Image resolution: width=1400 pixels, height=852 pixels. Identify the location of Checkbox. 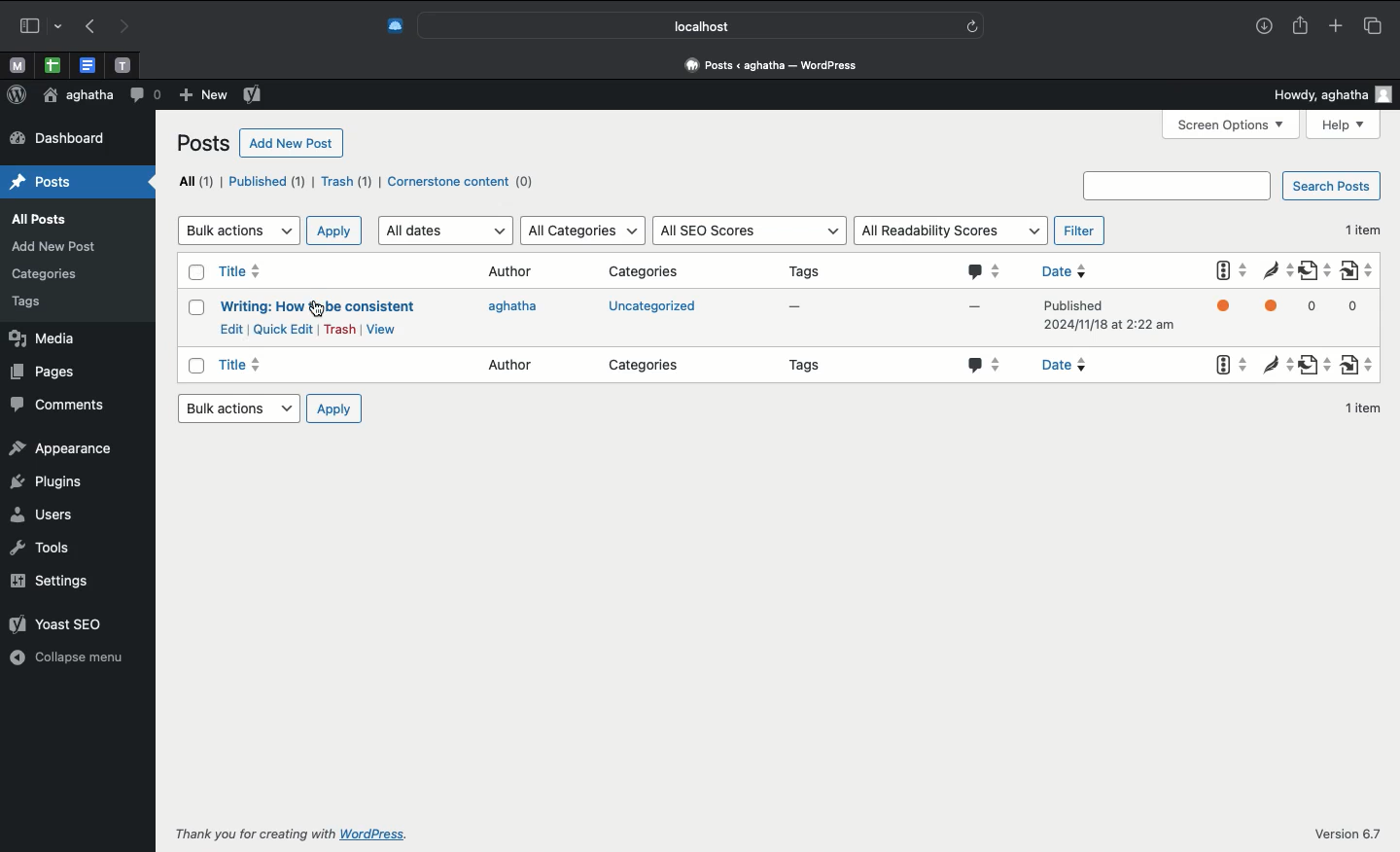
(192, 367).